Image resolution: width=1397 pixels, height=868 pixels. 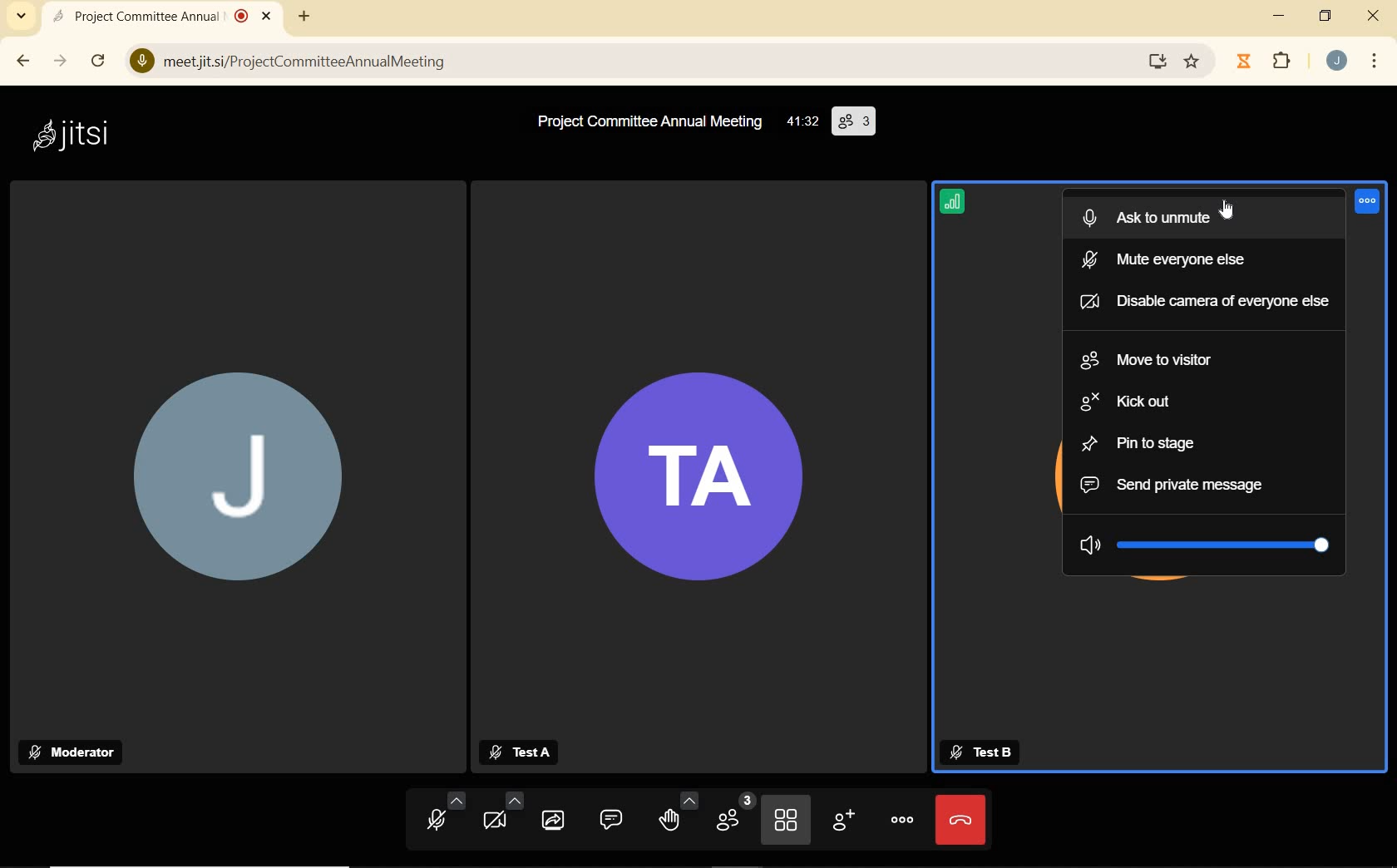 What do you see at coordinates (842, 821) in the screenshot?
I see `INVITE PEOPLE` at bounding box center [842, 821].